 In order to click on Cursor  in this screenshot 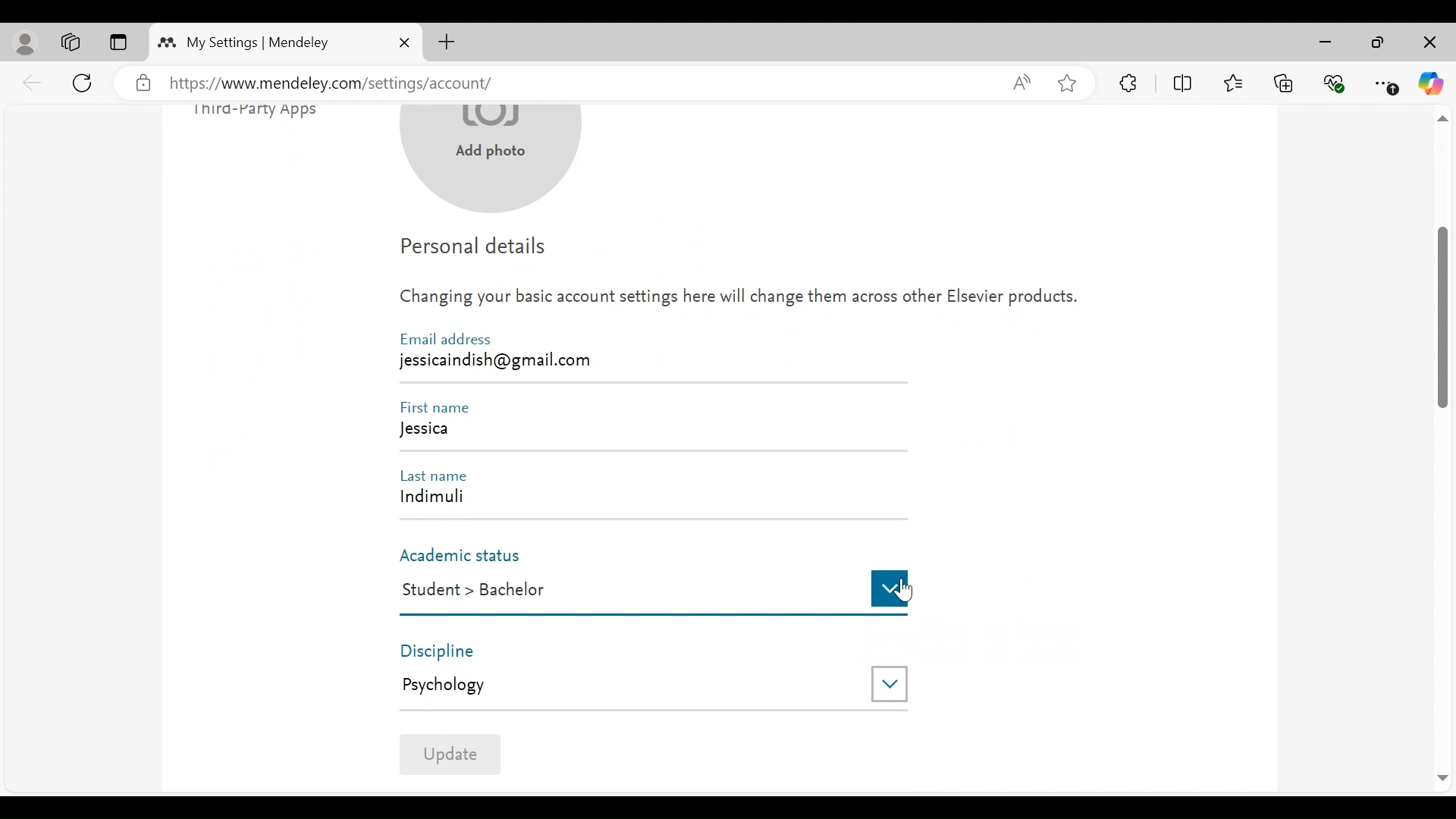, I will do `click(906, 591)`.